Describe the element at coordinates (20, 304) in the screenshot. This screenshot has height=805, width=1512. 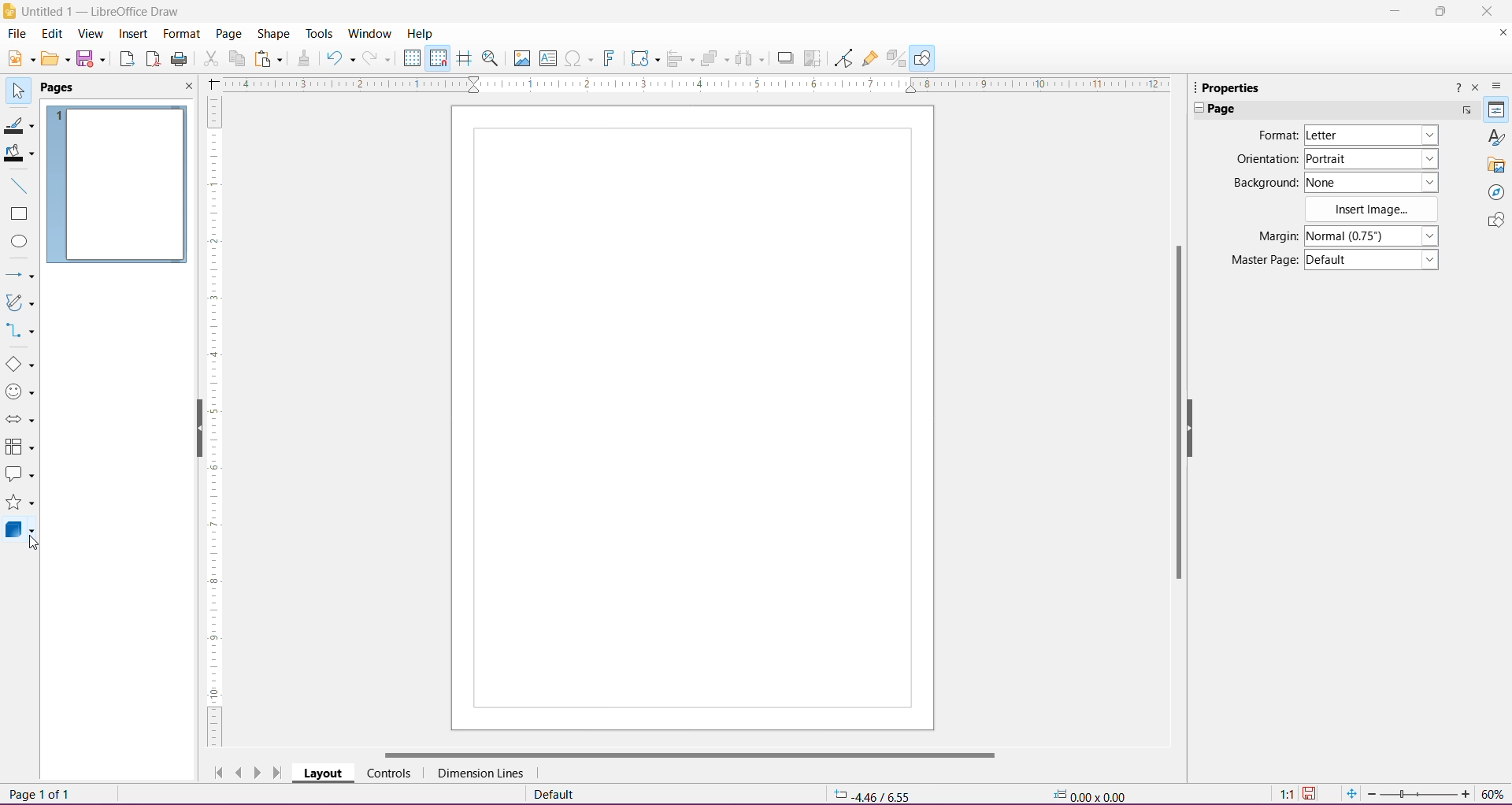
I see `Curves and Polygons` at that location.